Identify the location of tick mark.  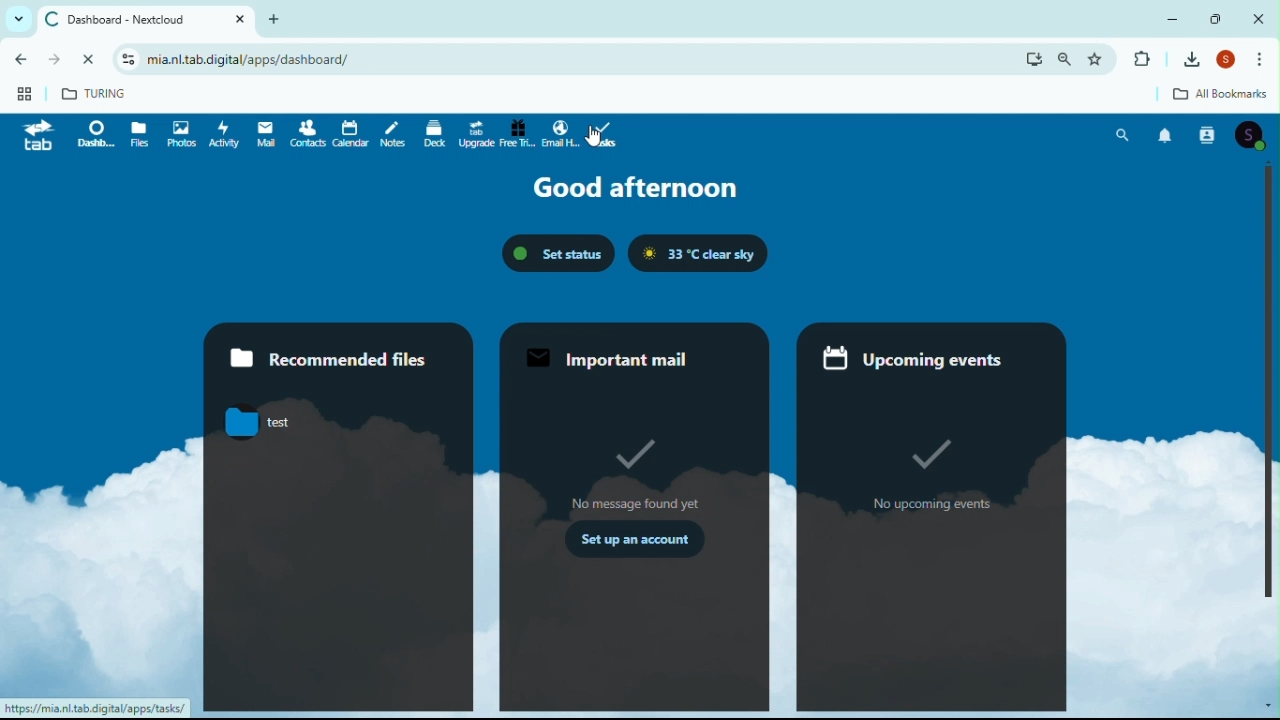
(931, 454).